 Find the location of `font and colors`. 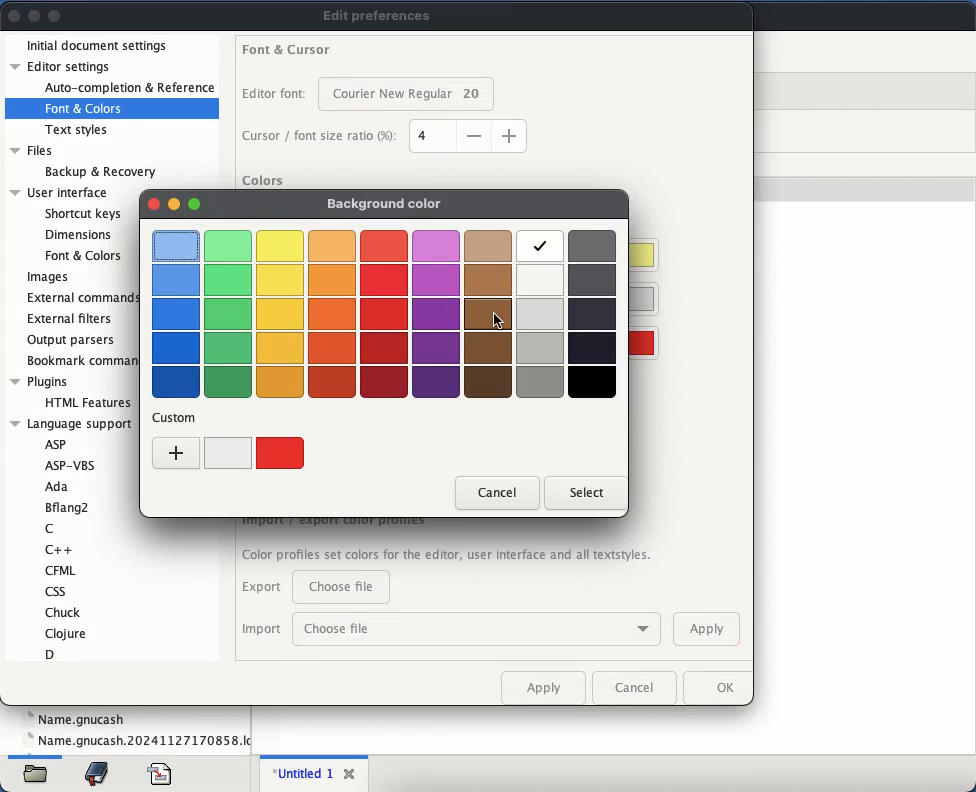

font and colors is located at coordinates (85, 110).